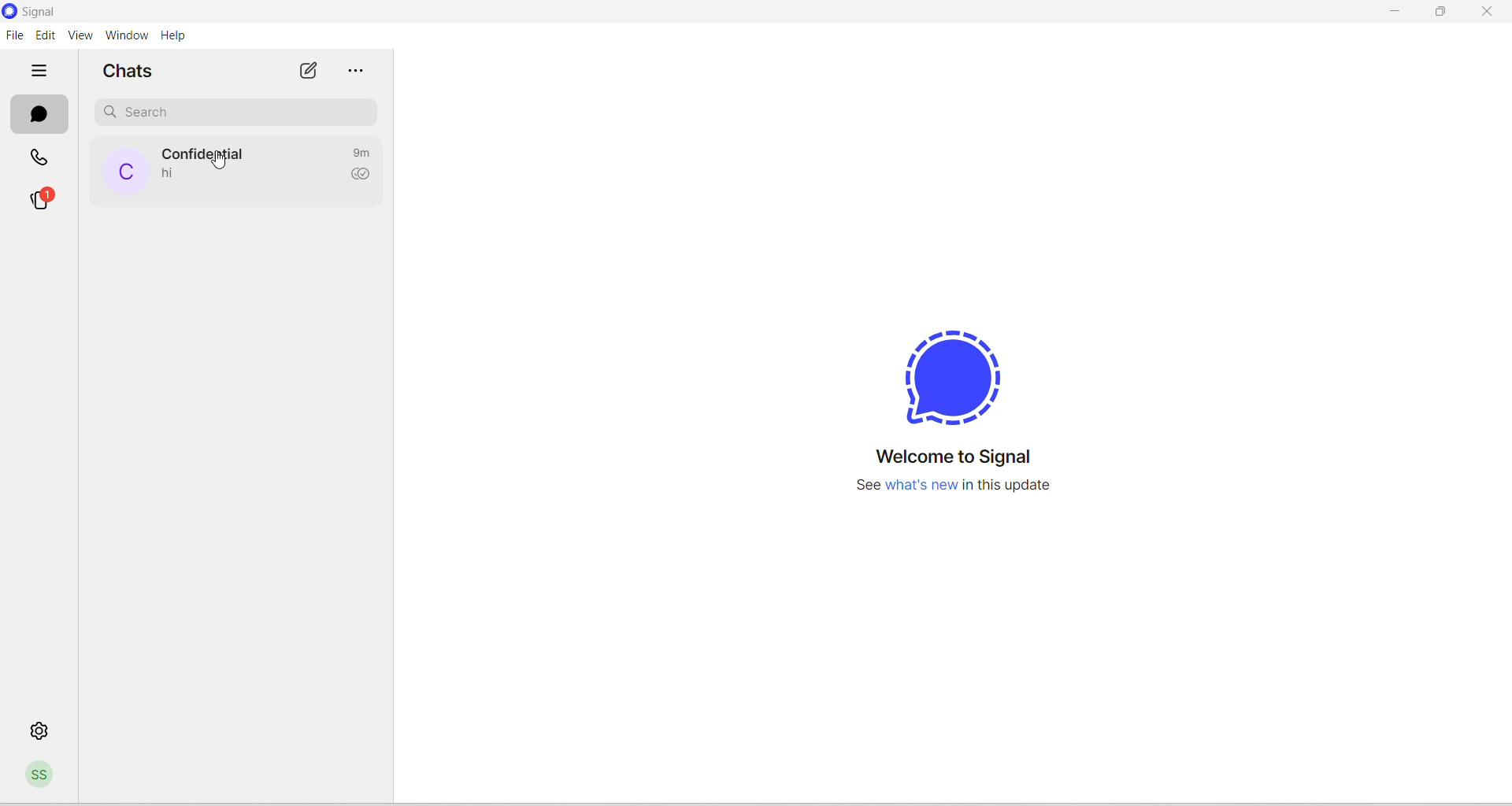 This screenshot has height=806, width=1512. Describe the element at coordinates (82, 36) in the screenshot. I see `view` at that location.